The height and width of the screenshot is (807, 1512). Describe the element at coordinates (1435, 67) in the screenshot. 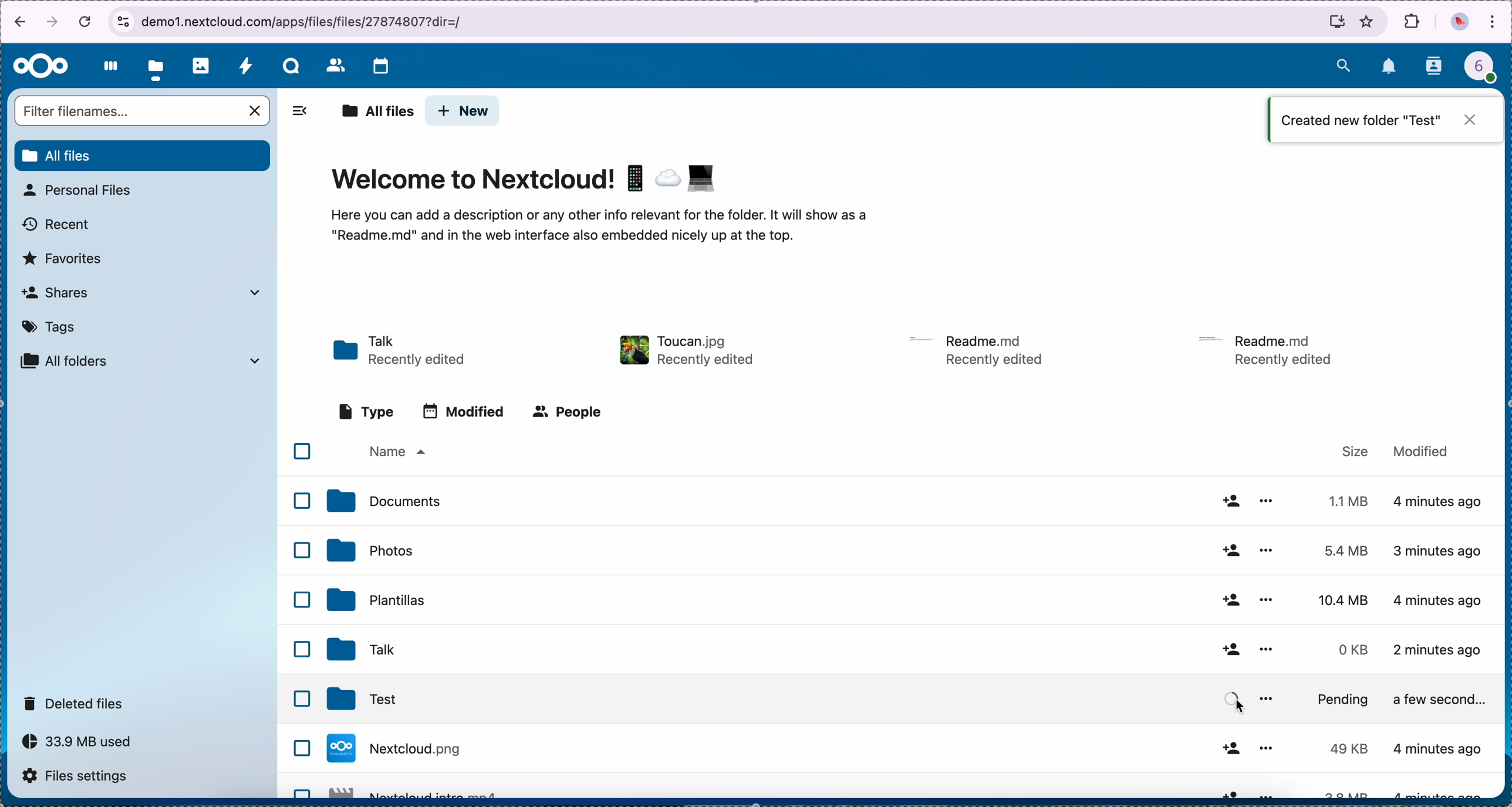

I see `contacts` at that location.